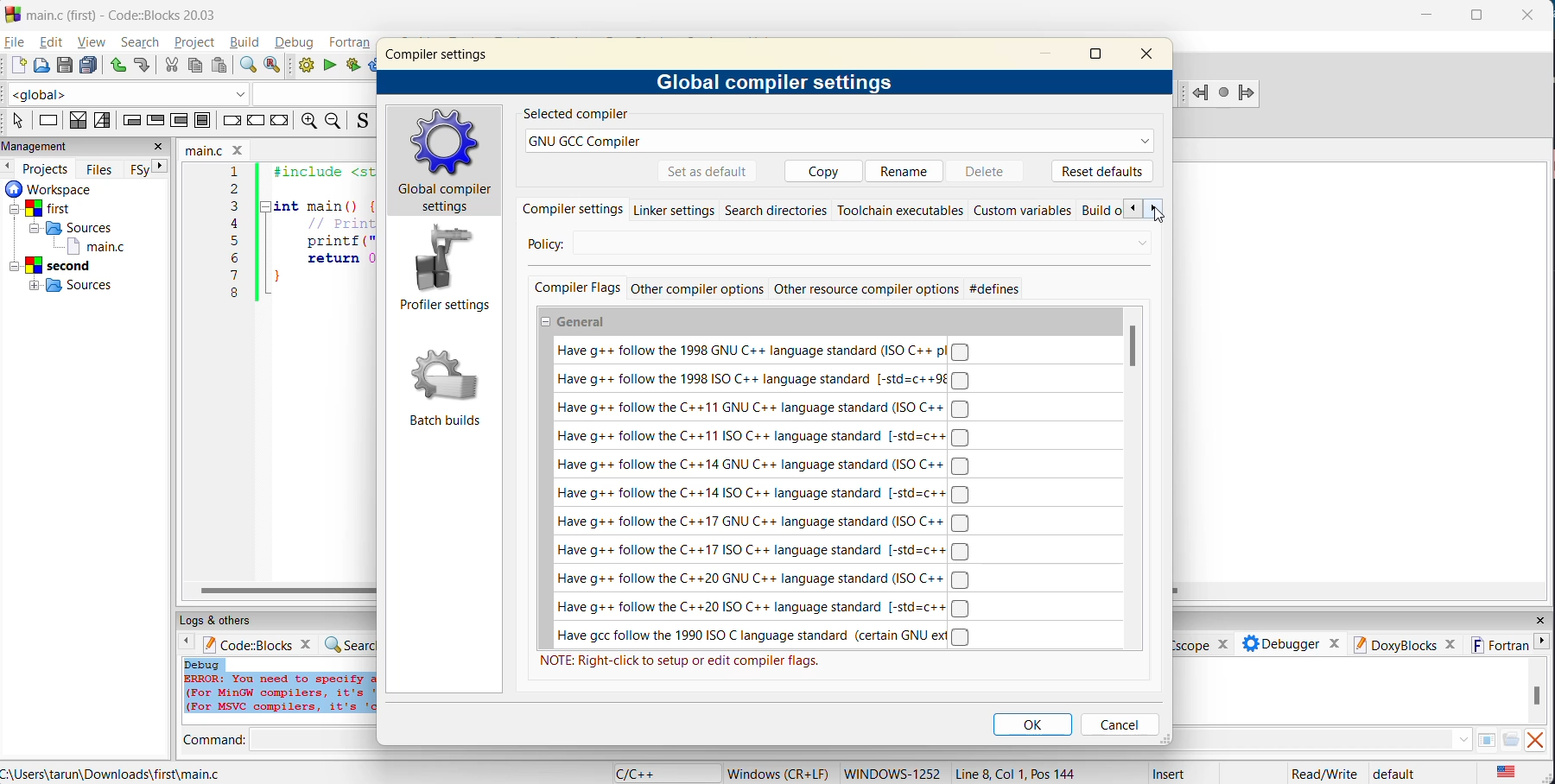 The height and width of the screenshot is (784, 1555). What do you see at coordinates (839, 141) in the screenshot?
I see `GNU GCC Compiler` at bounding box center [839, 141].